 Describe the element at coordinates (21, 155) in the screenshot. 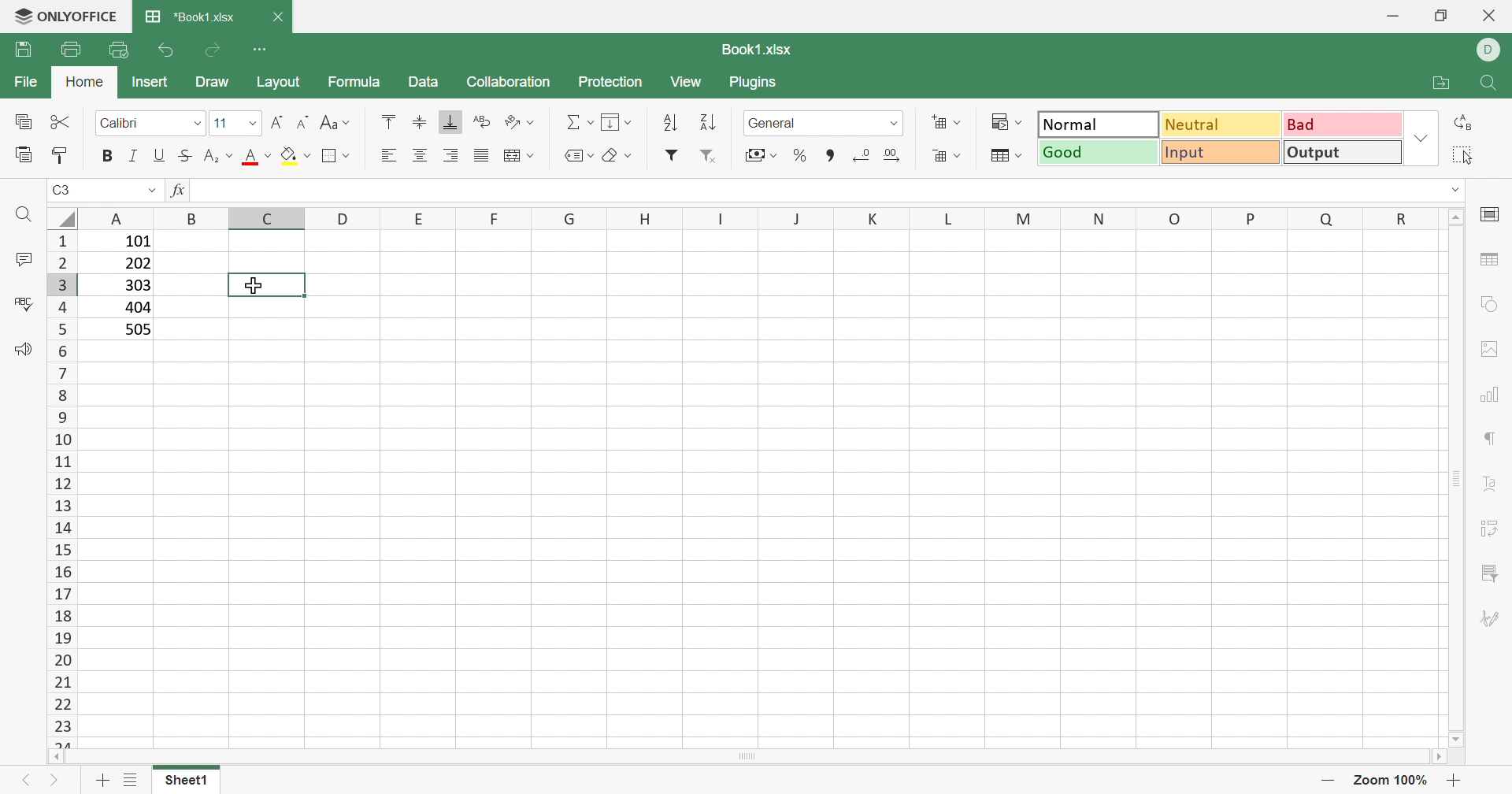

I see `Paste` at that location.